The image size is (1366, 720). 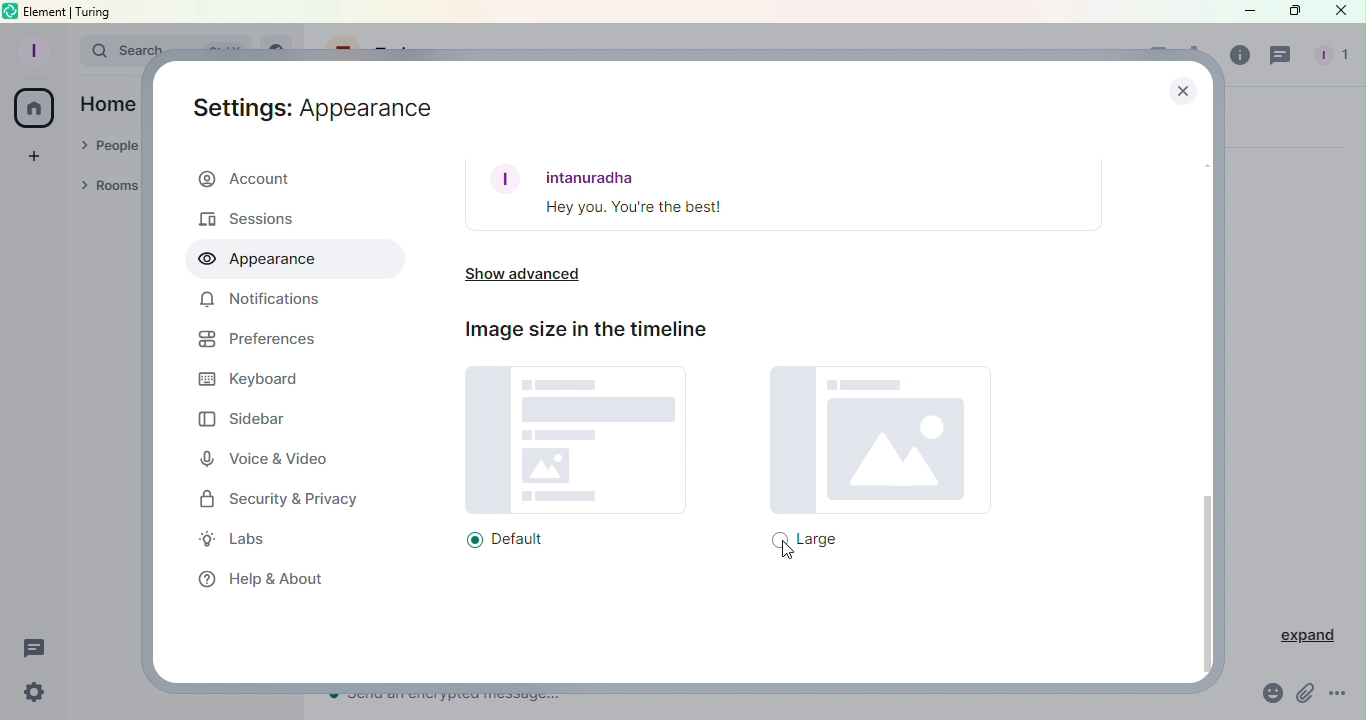 I want to click on Threads, so click(x=35, y=649).